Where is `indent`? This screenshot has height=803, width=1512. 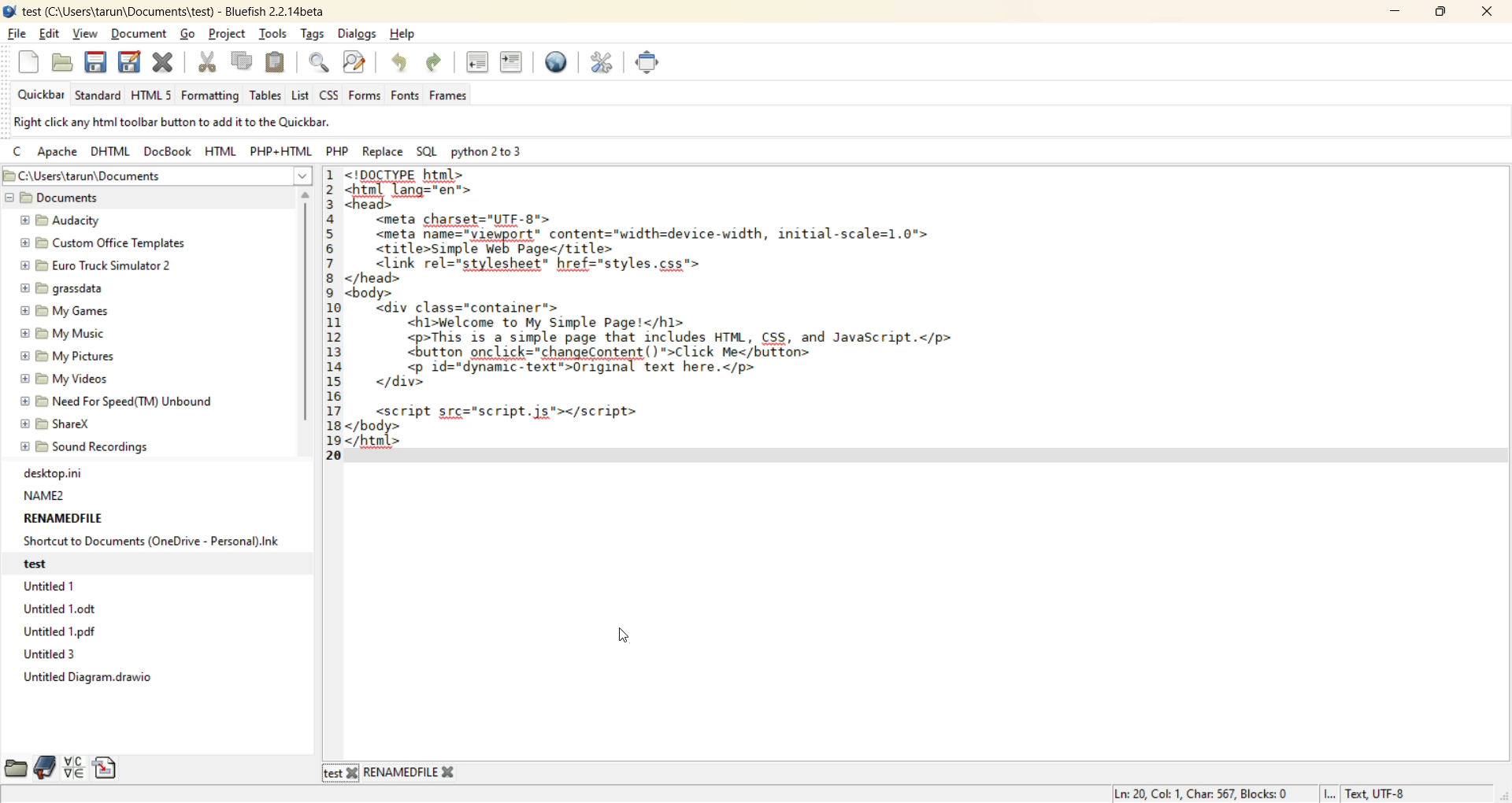 indent is located at coordinates (509, 61).